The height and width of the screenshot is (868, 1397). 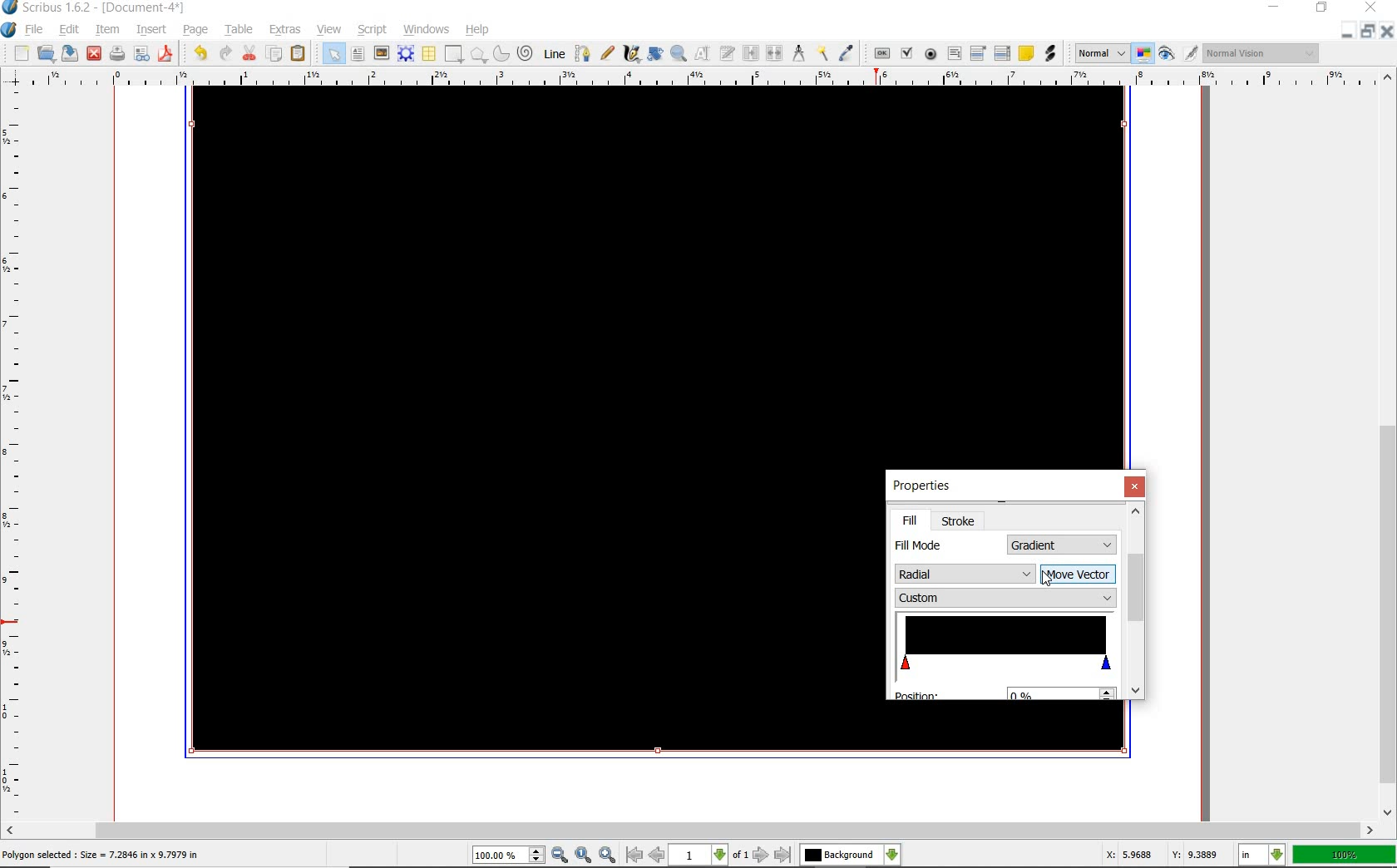 I want to click on close, so click(x=1388, y=31).